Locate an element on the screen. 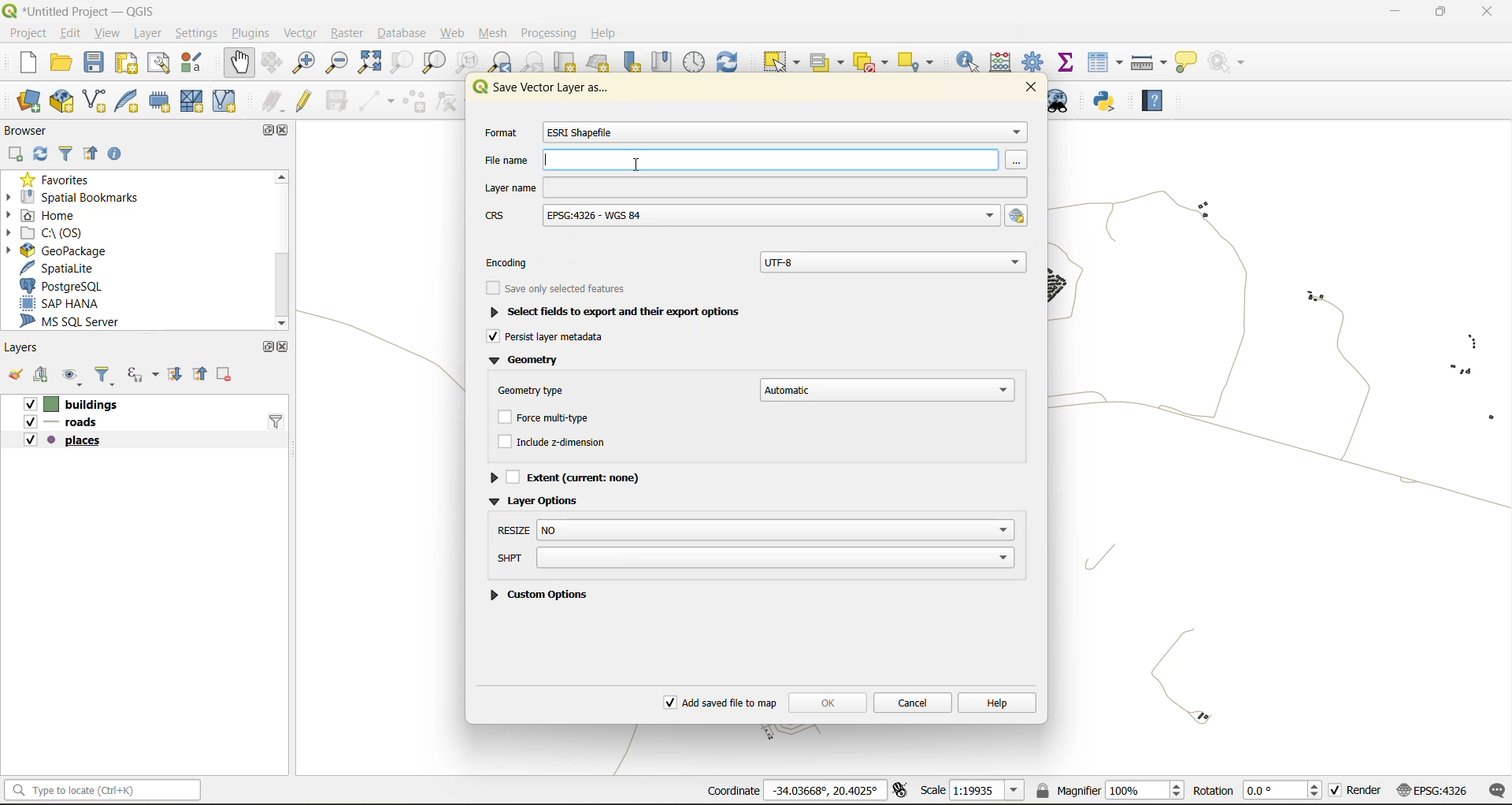 The image size is (1512, 805). File name is located at coordinates (747, 160).